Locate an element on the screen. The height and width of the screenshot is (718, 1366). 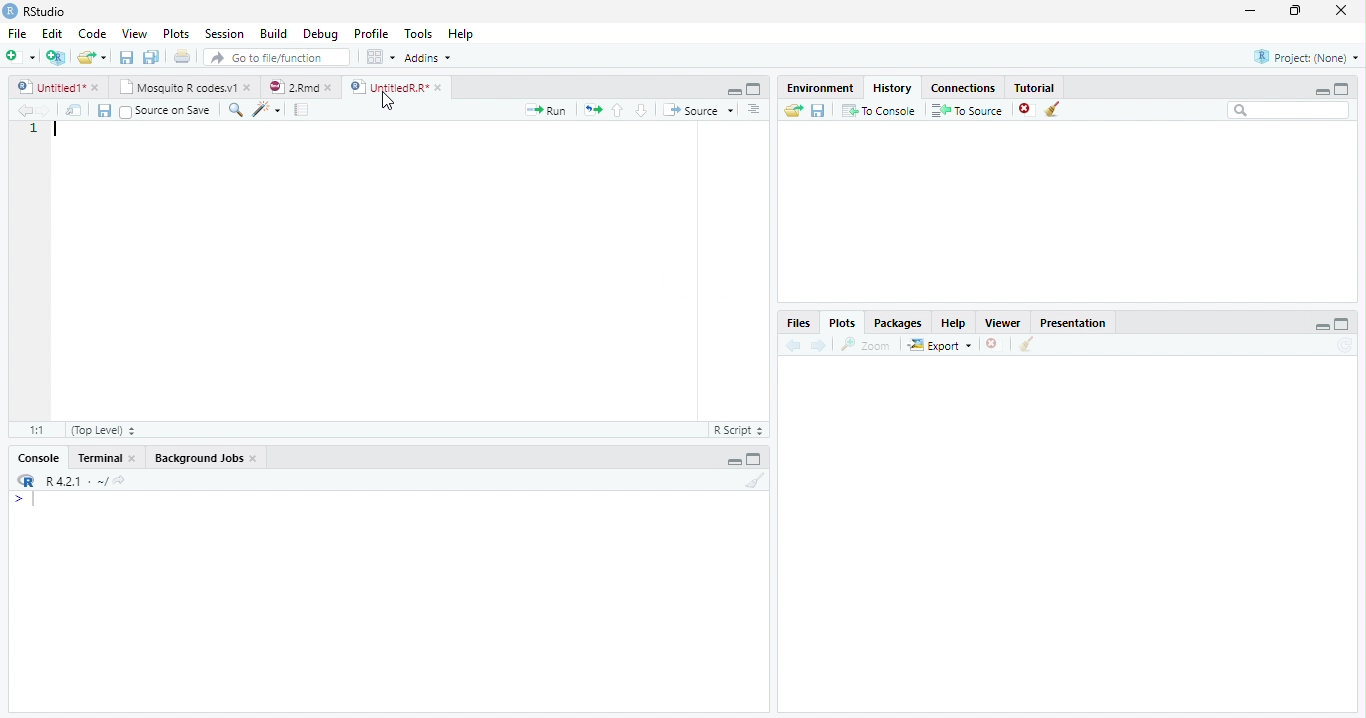
Save current document is located at coordinates (105, 111).